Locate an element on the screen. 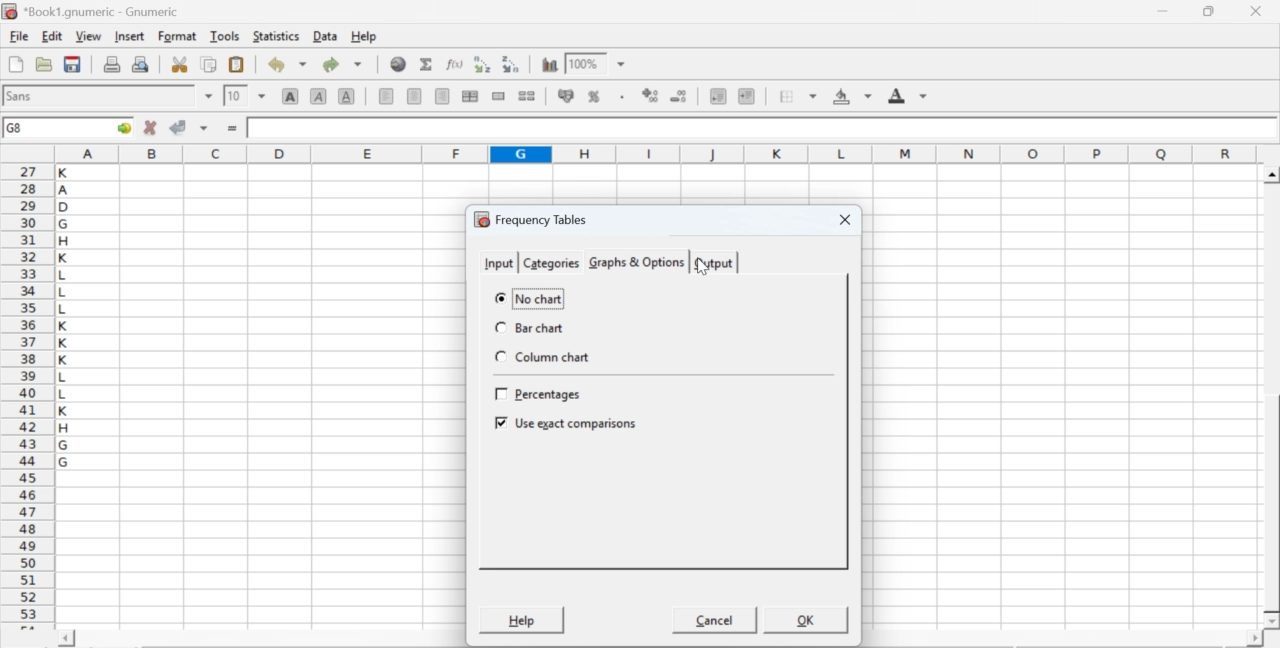  OK is located at coordinates (807, 619).